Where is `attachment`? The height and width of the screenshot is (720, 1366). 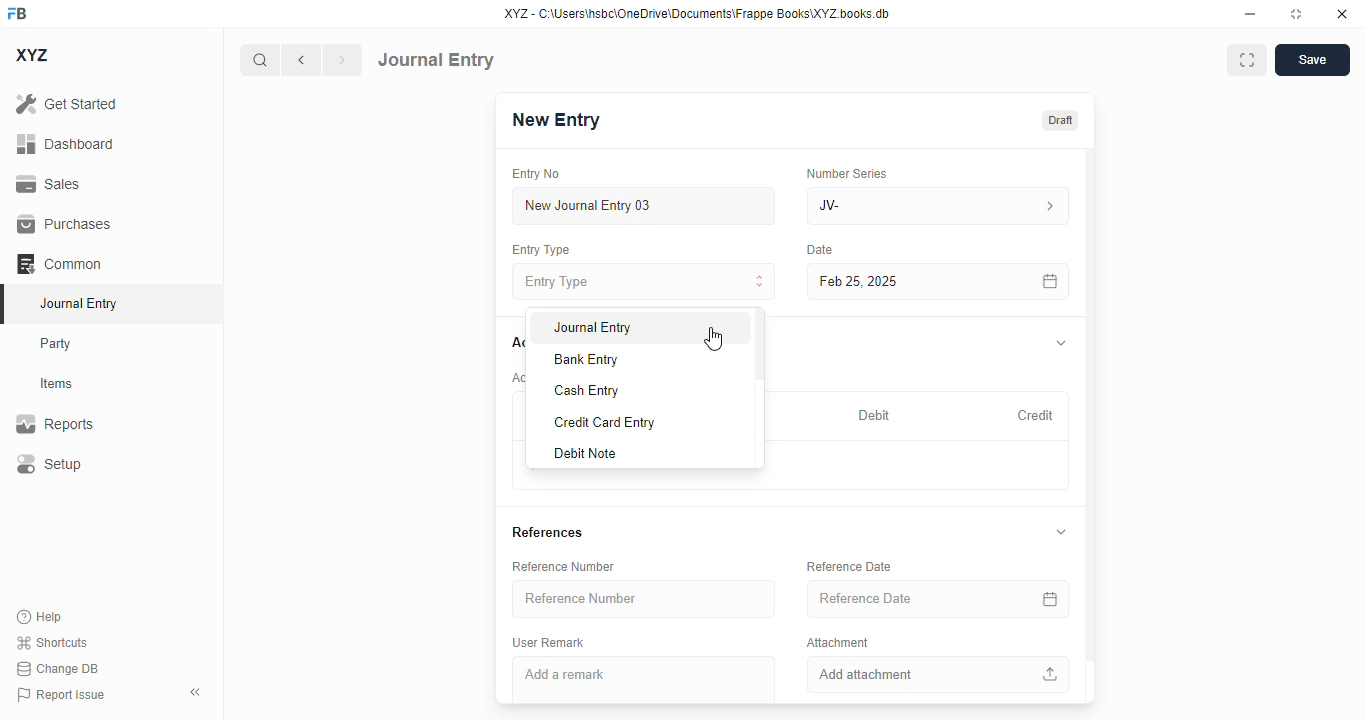
attachment is located at coordinates (838, 641).